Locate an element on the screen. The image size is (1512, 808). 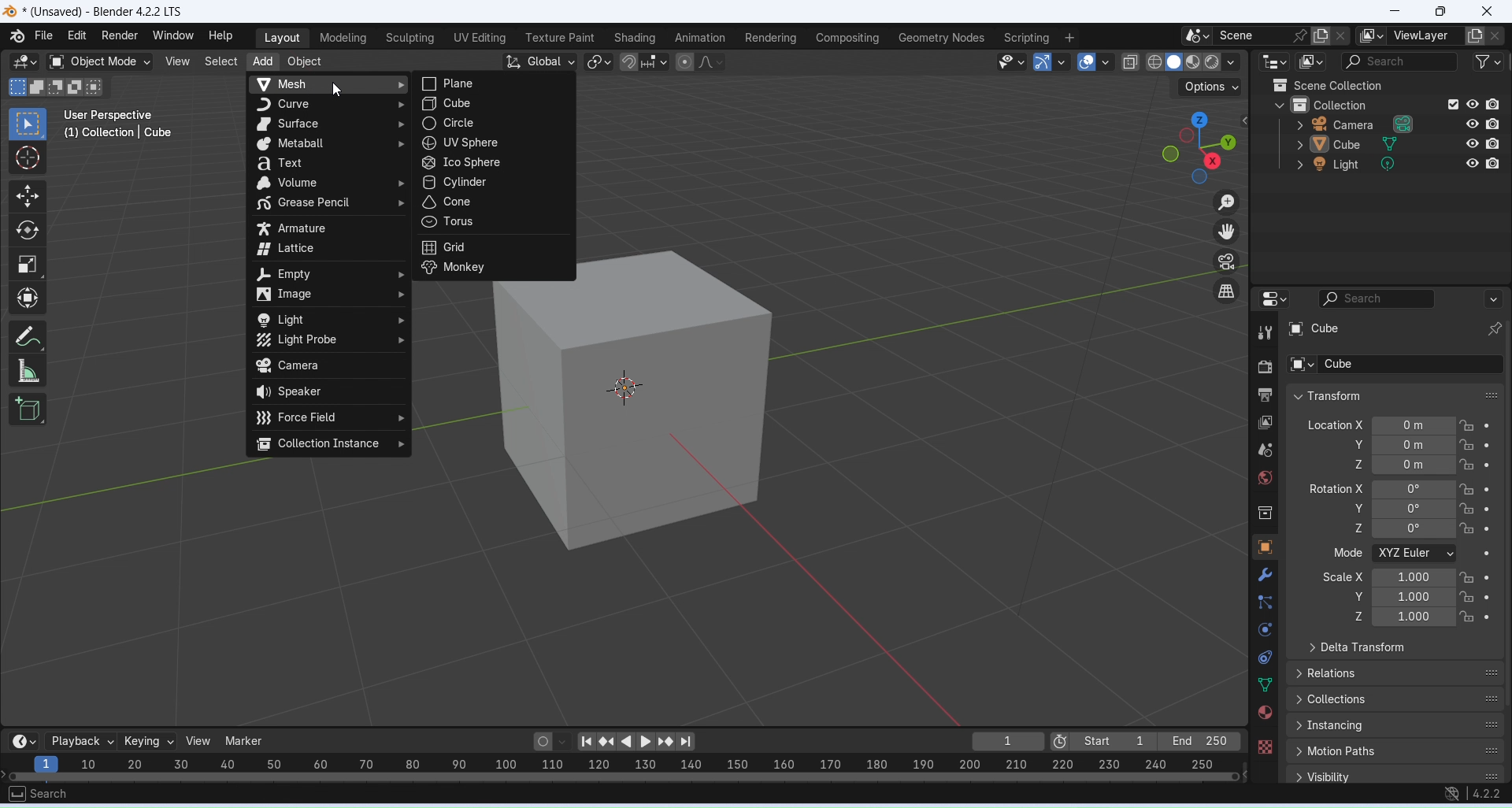
Editor type is located at coordinates (1273, 298).